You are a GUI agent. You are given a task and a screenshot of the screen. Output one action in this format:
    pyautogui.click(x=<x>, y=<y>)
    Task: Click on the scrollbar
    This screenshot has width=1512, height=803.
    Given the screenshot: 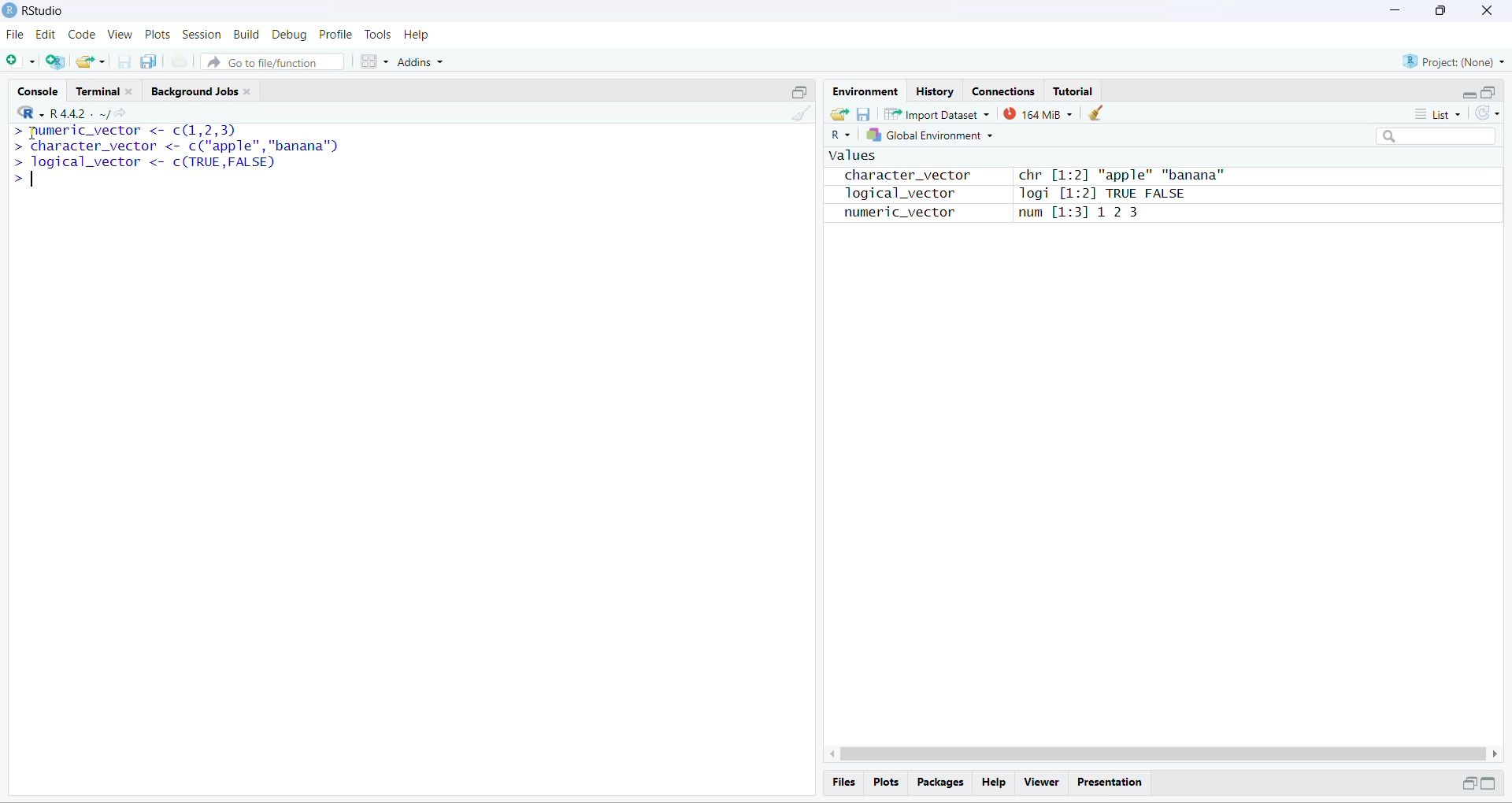 What is the action you would take?
    pyautogui.click(x=1164, y=754)
    